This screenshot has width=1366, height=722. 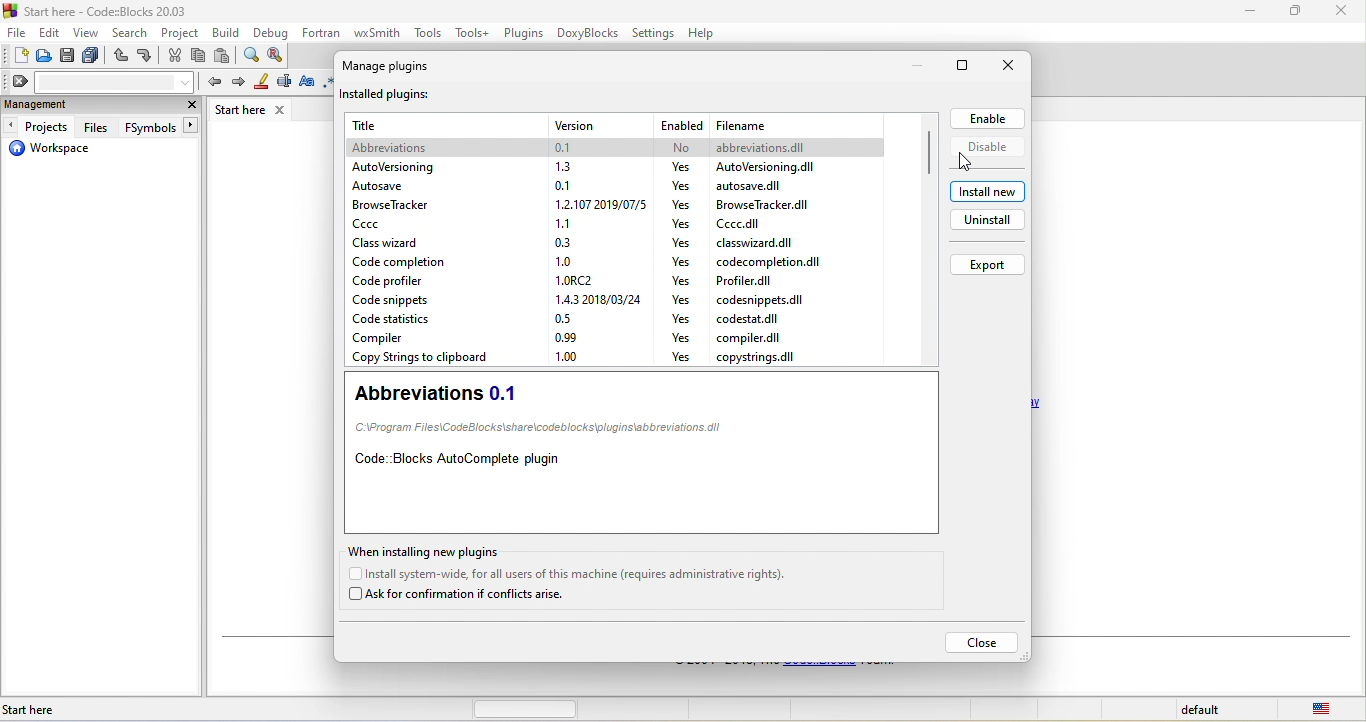 I want to click on ask for confirmation if conflicts arise, so click(x=461, y=596).